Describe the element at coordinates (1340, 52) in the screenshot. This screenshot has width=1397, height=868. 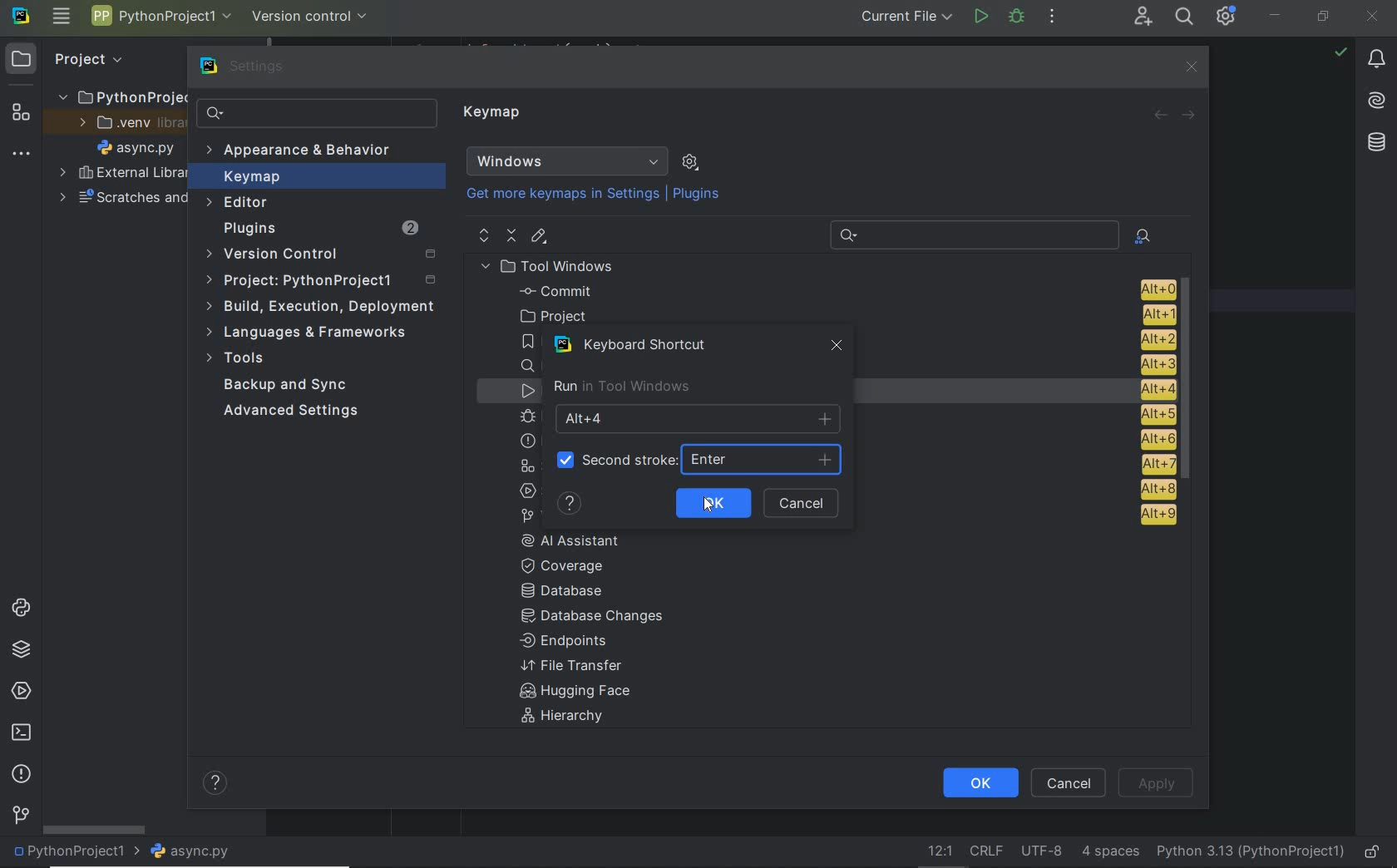
I see `no problems` at that location.